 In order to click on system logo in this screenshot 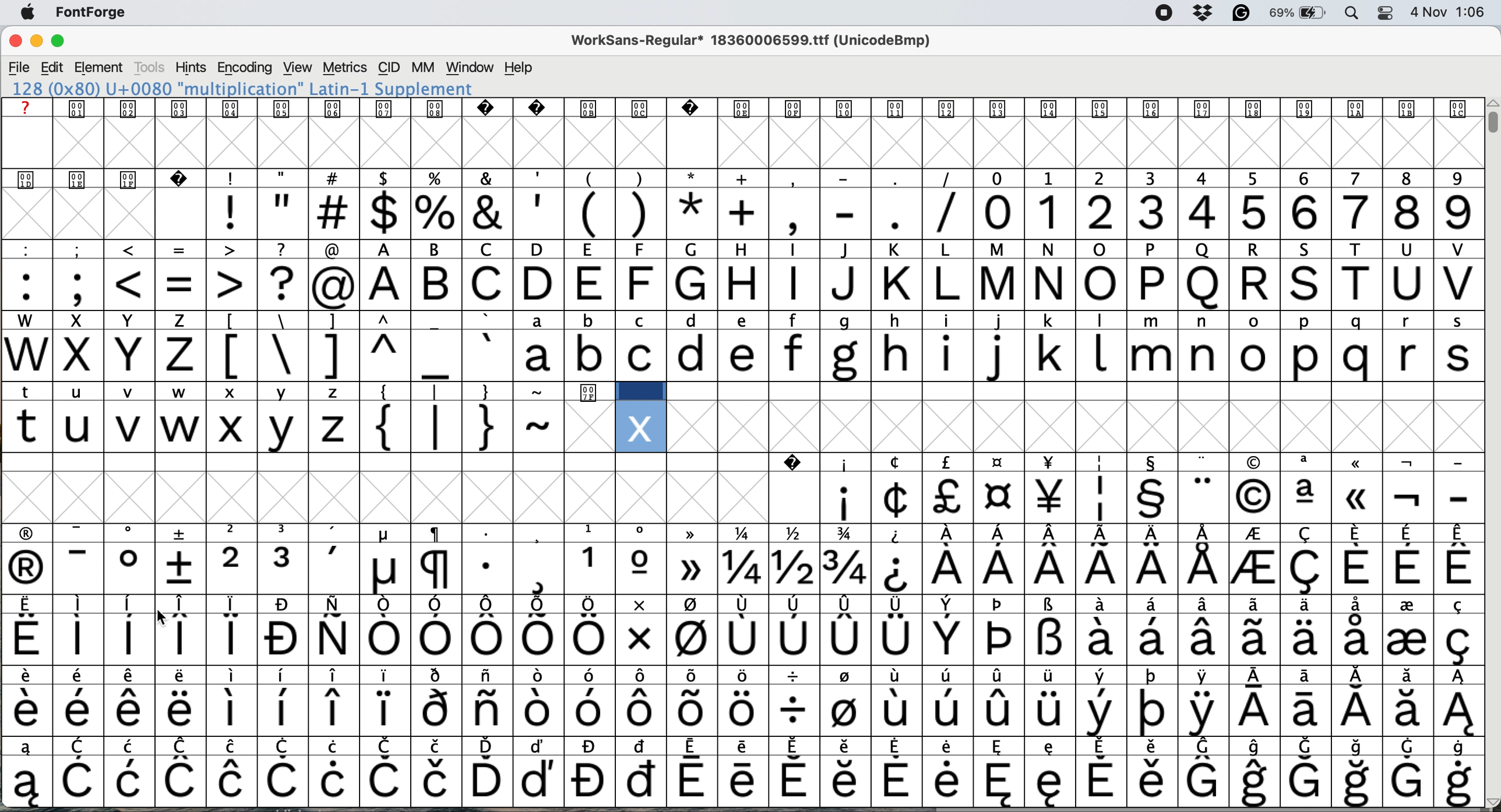, I will do `click(33, 13)`.